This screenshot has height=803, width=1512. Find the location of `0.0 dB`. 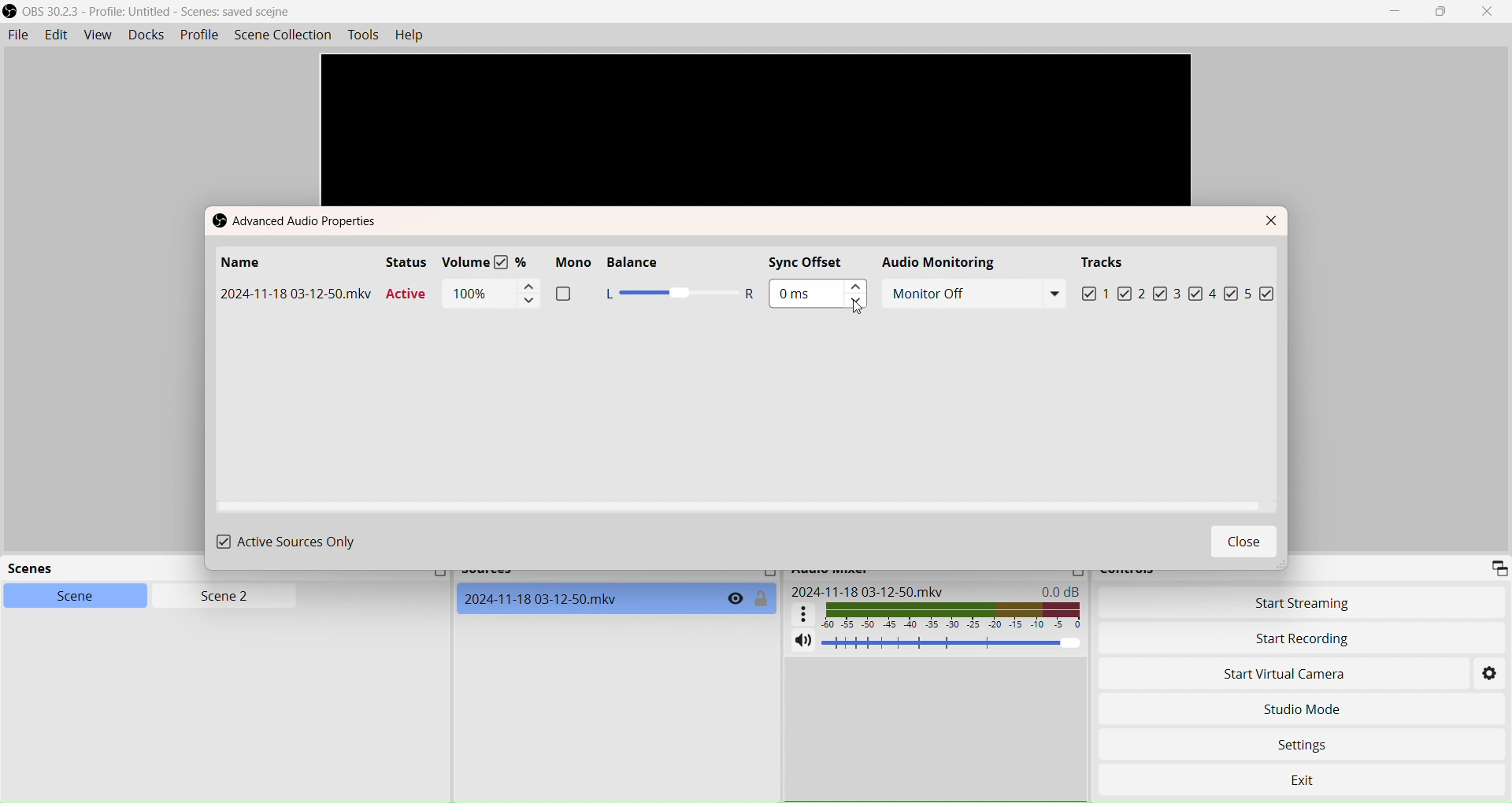

0.0 dB is located at coordinates (1064, 590).